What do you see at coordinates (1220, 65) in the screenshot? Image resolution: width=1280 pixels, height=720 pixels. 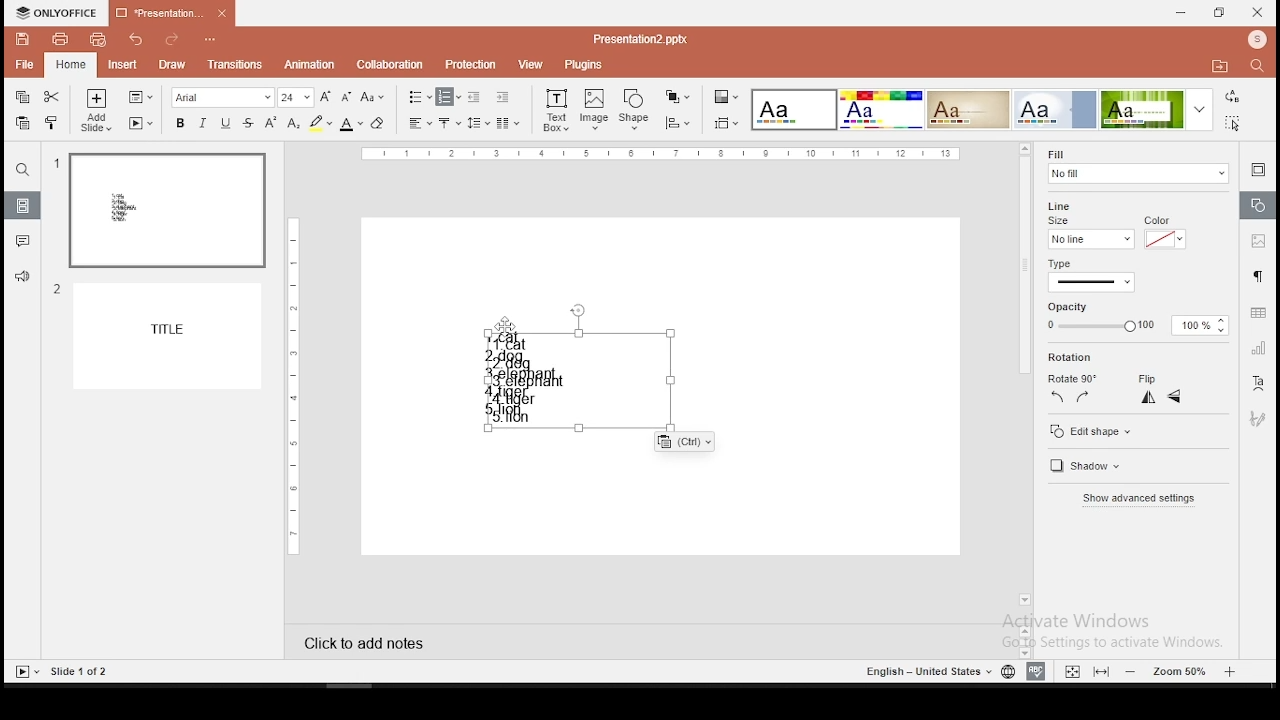 I see `folder` at bounding box center [1220, 65].